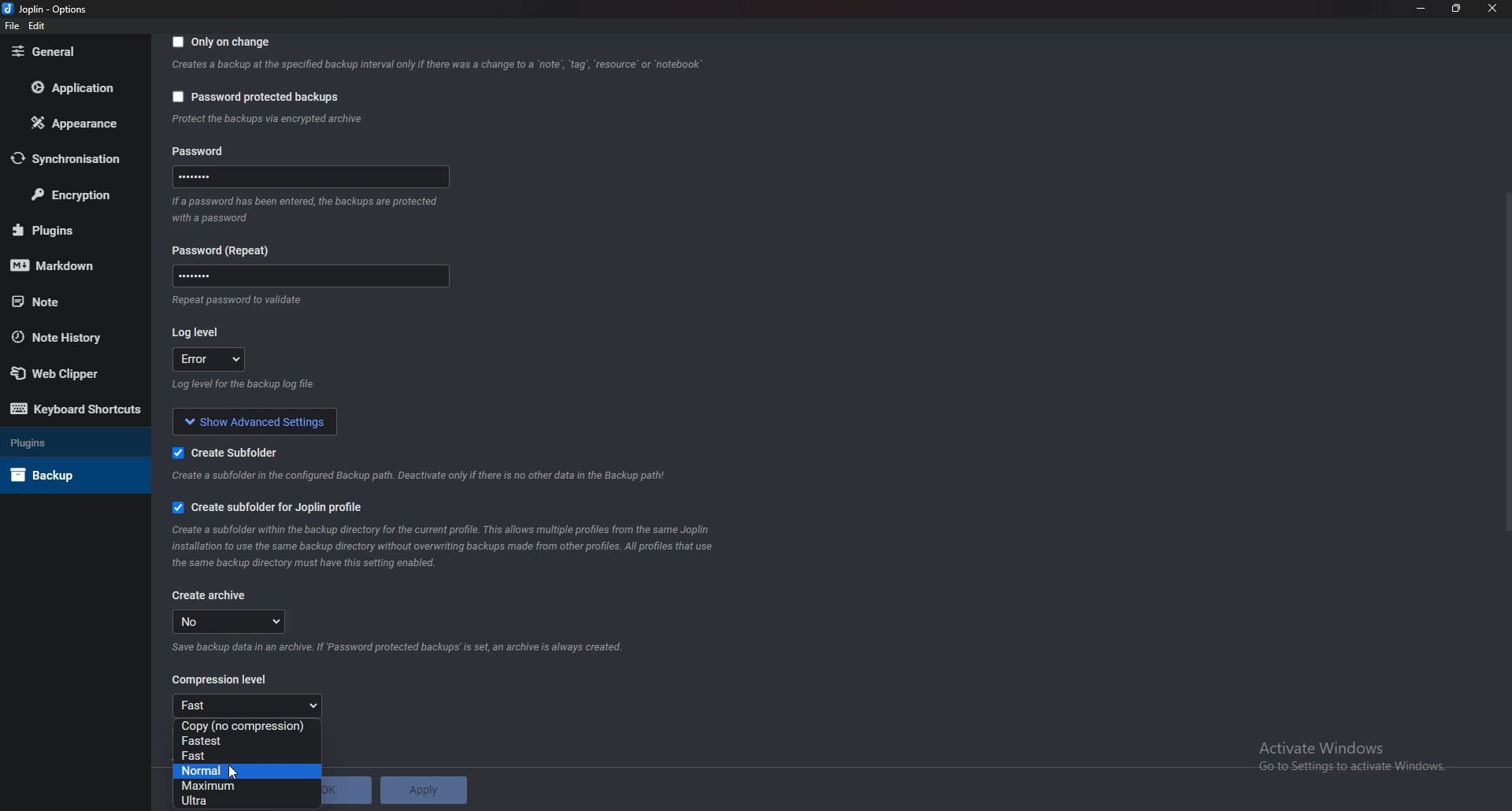  What do you see at coordinates (211, 360) in the screenshot?
I see `error` at bounding box center [211, 360].